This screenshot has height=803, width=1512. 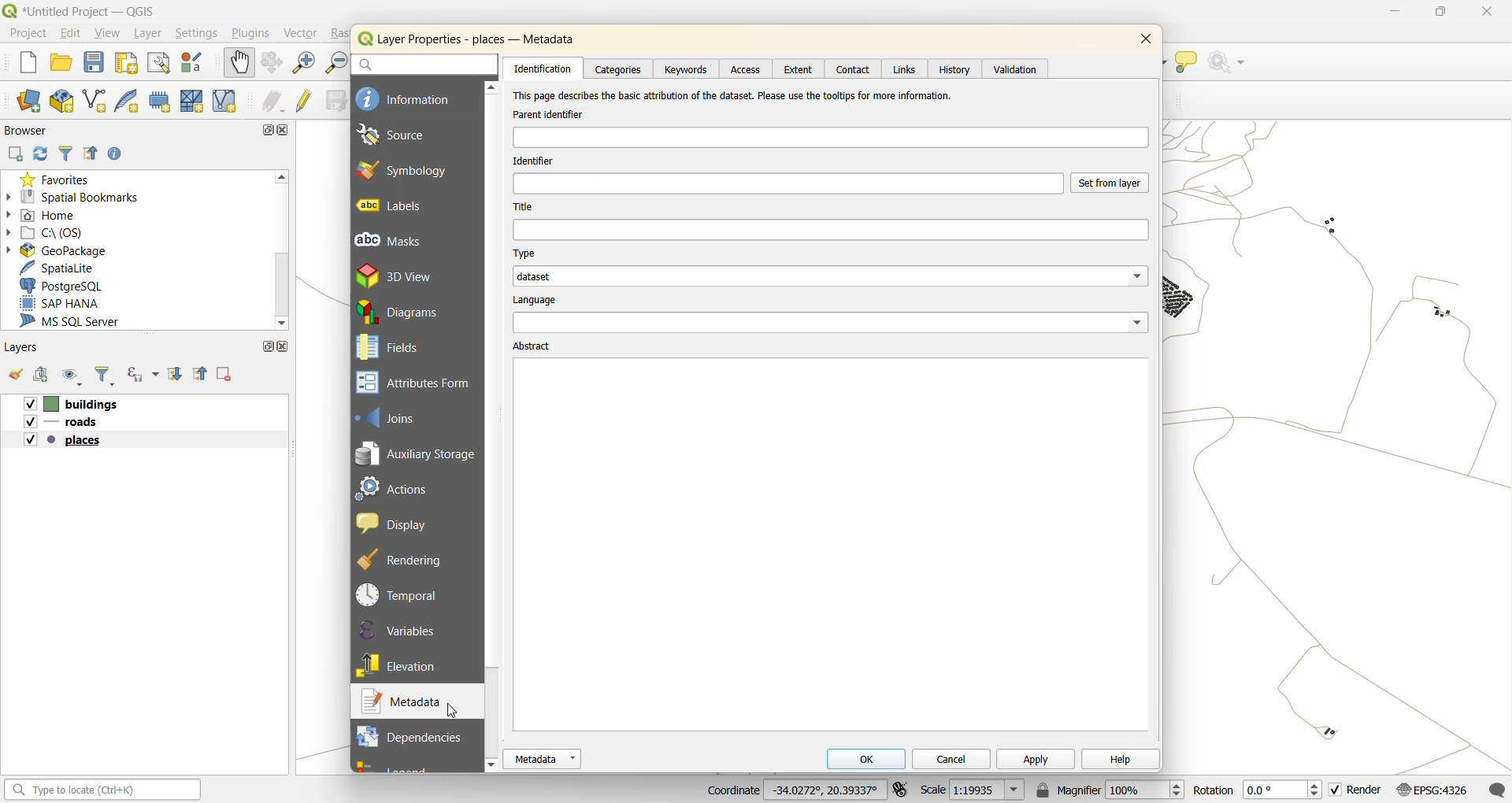 What do you see at coordinates (43, 154) in the screenshot?
I see `refresh` at bounding box center [43, 154].